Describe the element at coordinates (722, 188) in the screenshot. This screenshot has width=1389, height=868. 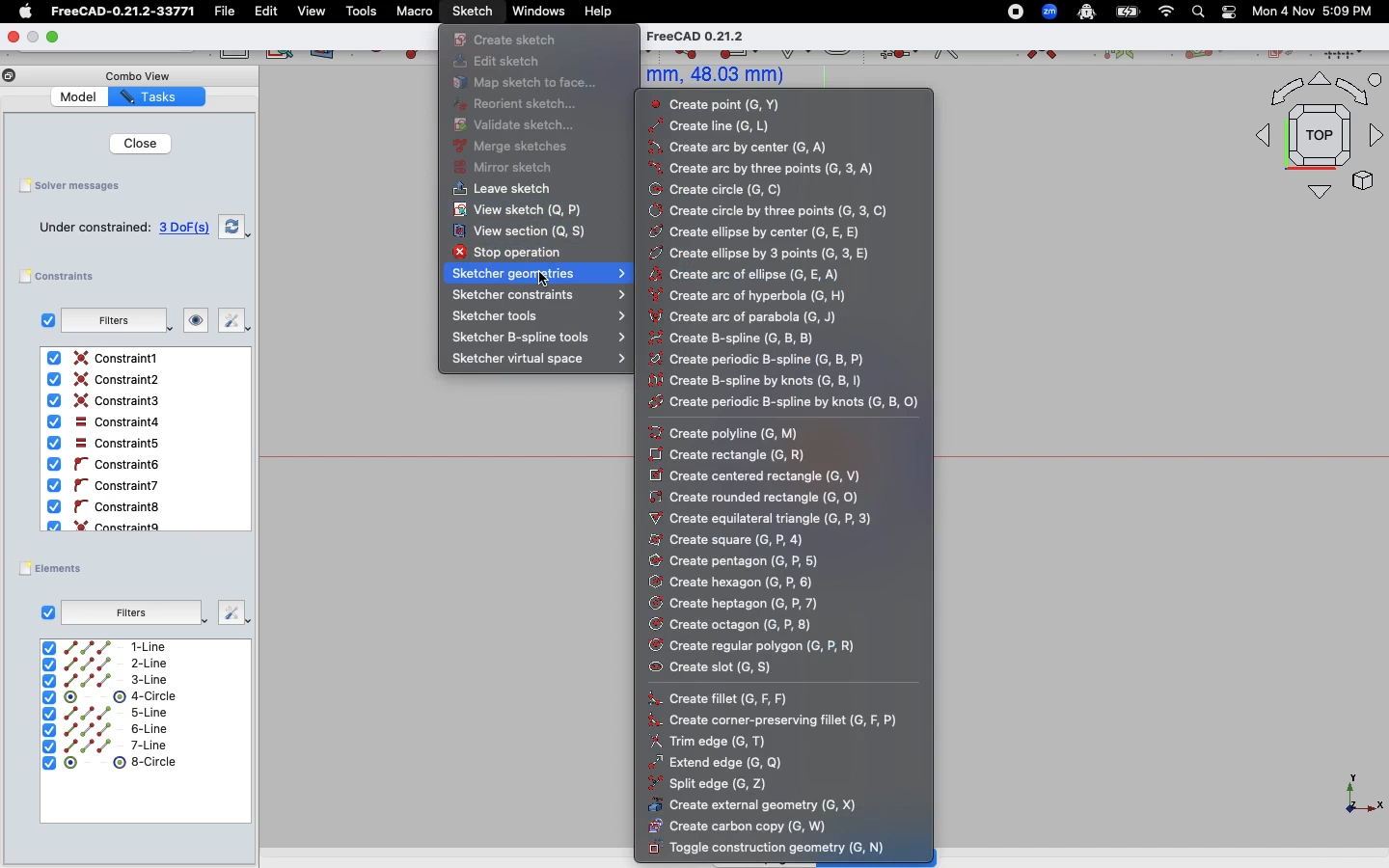
I see `Create circle (G, C)` at that location.